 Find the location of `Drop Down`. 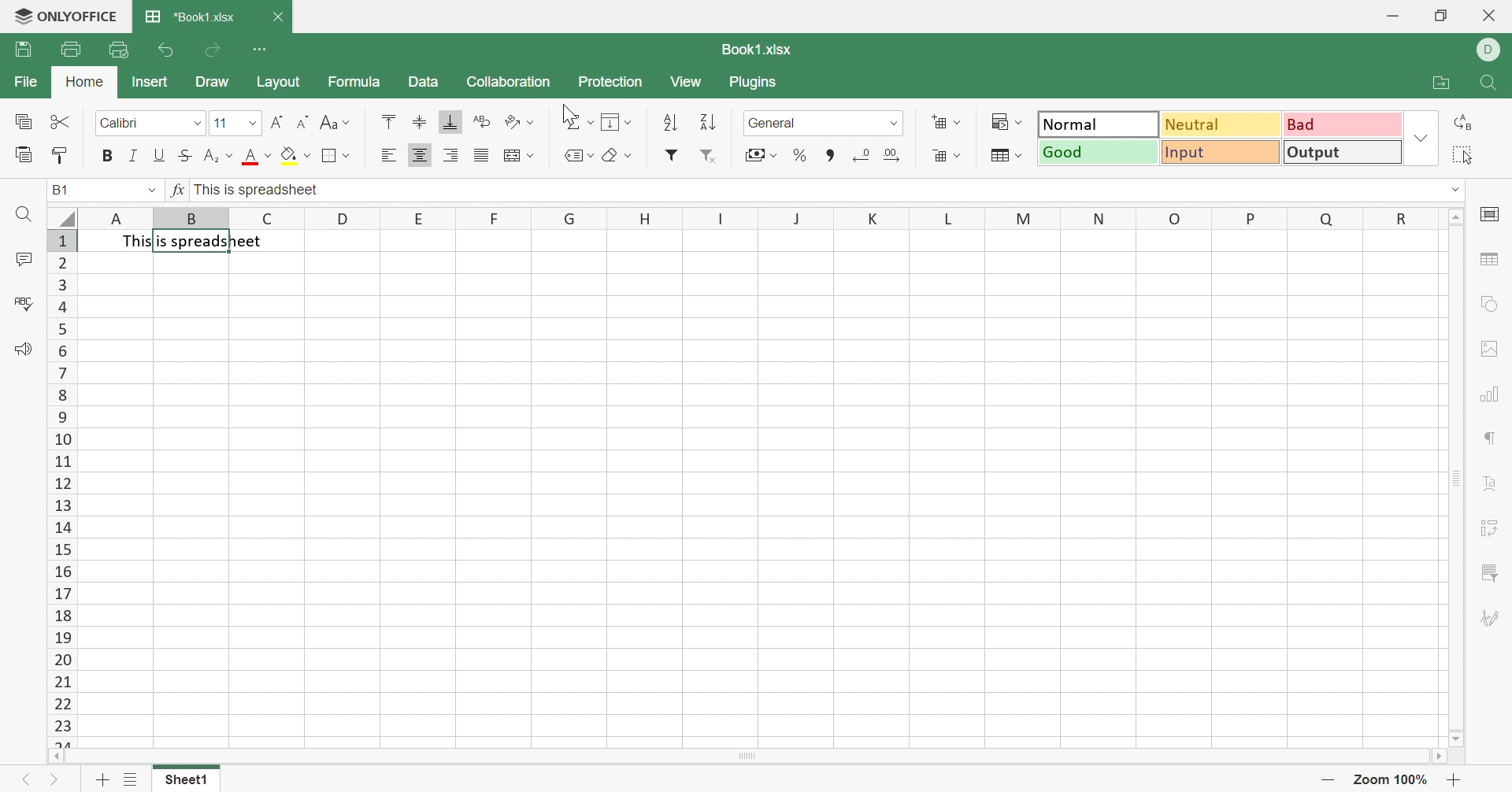

Drop Down is located at coordinates (269, 156).